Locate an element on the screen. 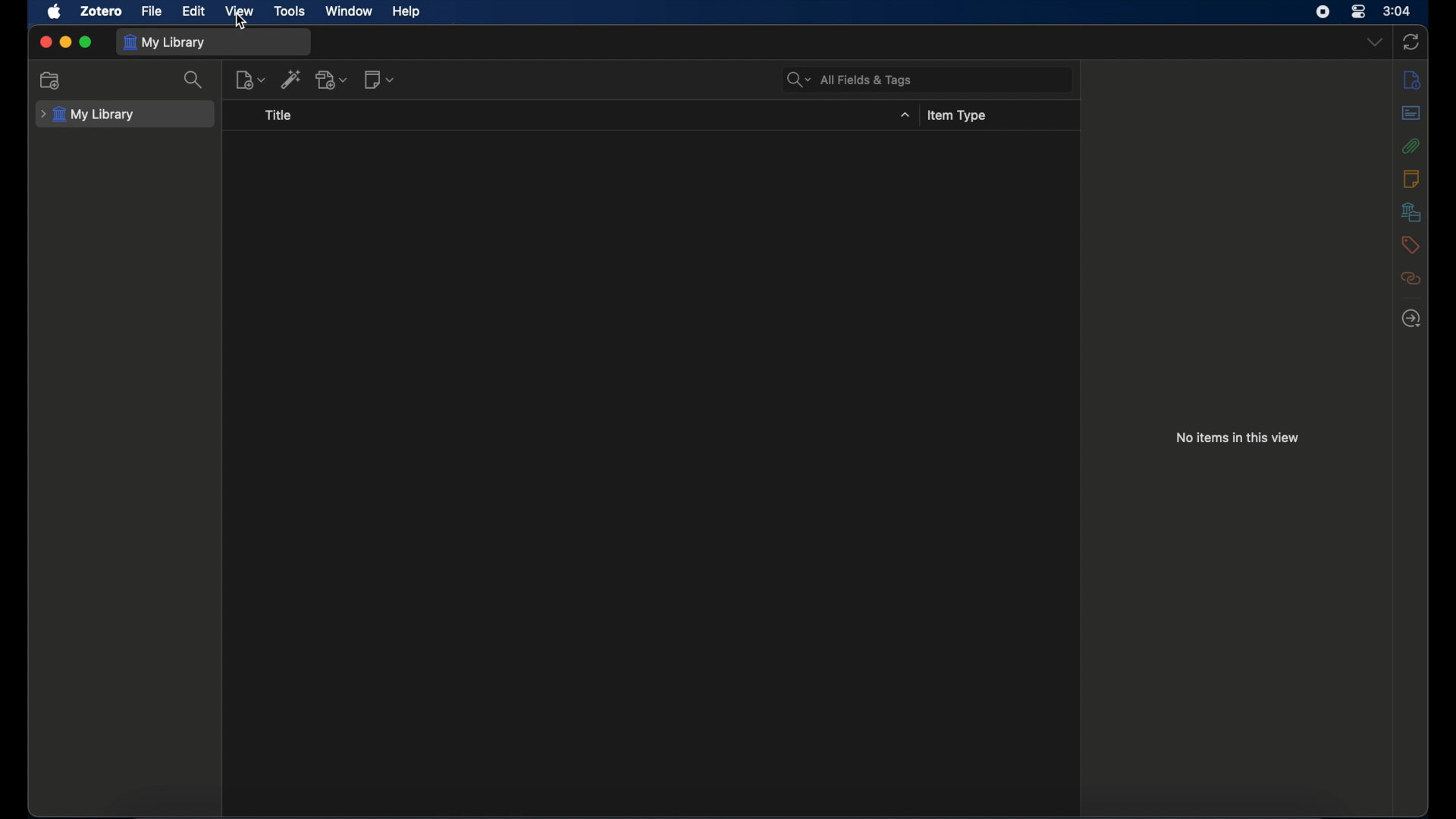  info is located at coordinates (1411, 79).